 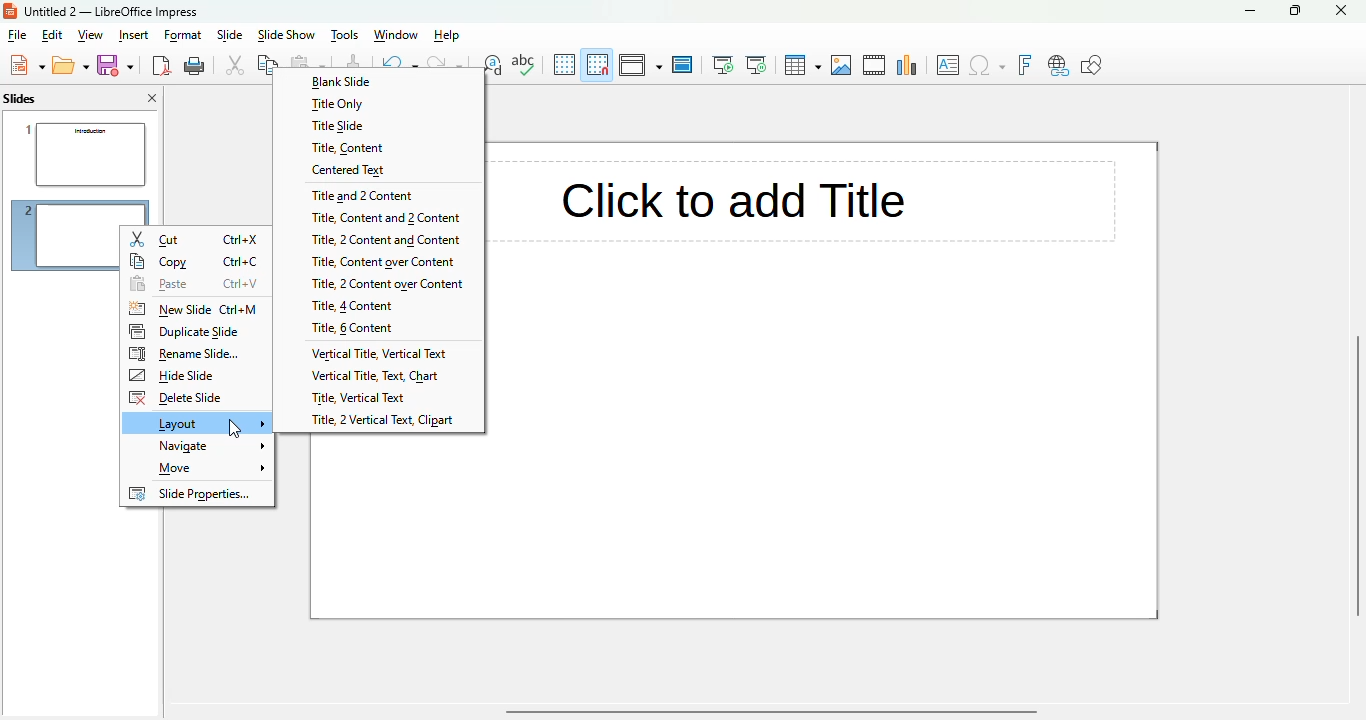 What do you see at coordinates (380, 218) in the screenshot?
I see `title, content and 2 content` at bounding box center [380, 218].